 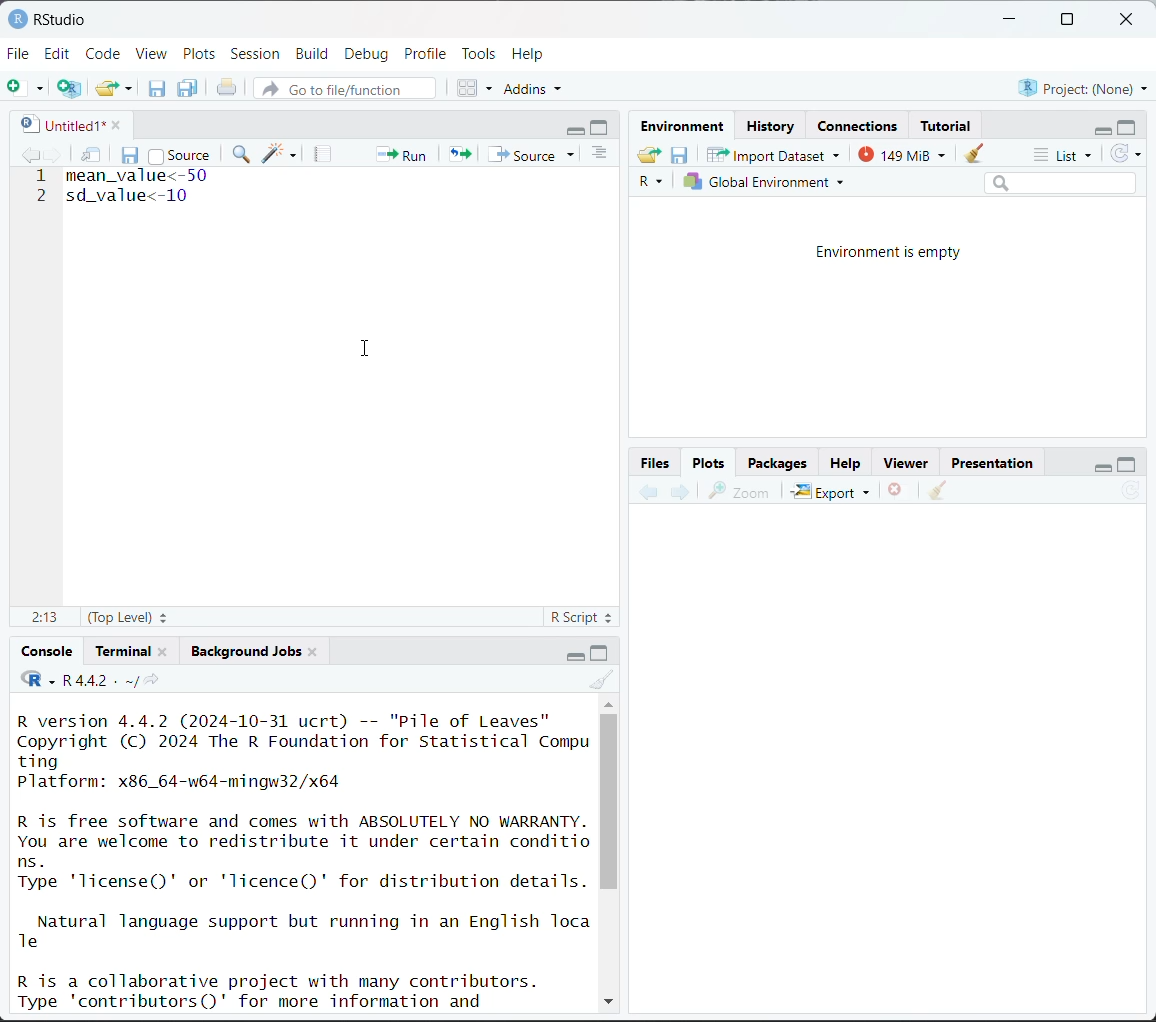 What do you see at coordinates (189, 88) in the screenshot?
I see `save all open documents` at bounding box center [189, 88].